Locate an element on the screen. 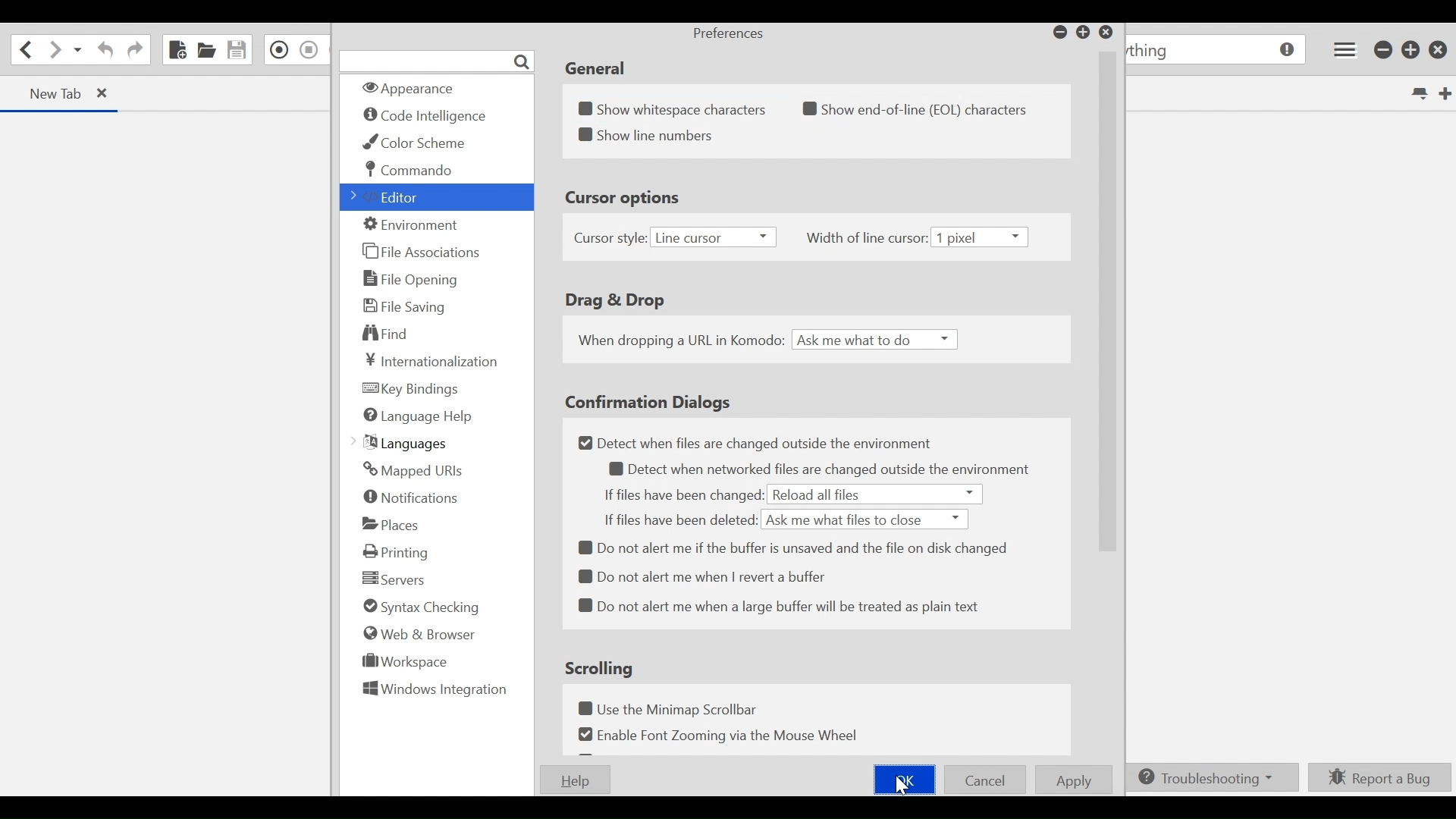 The width and height of the screenshot is (1456, 819). Search is located at coordinates (438, 61).